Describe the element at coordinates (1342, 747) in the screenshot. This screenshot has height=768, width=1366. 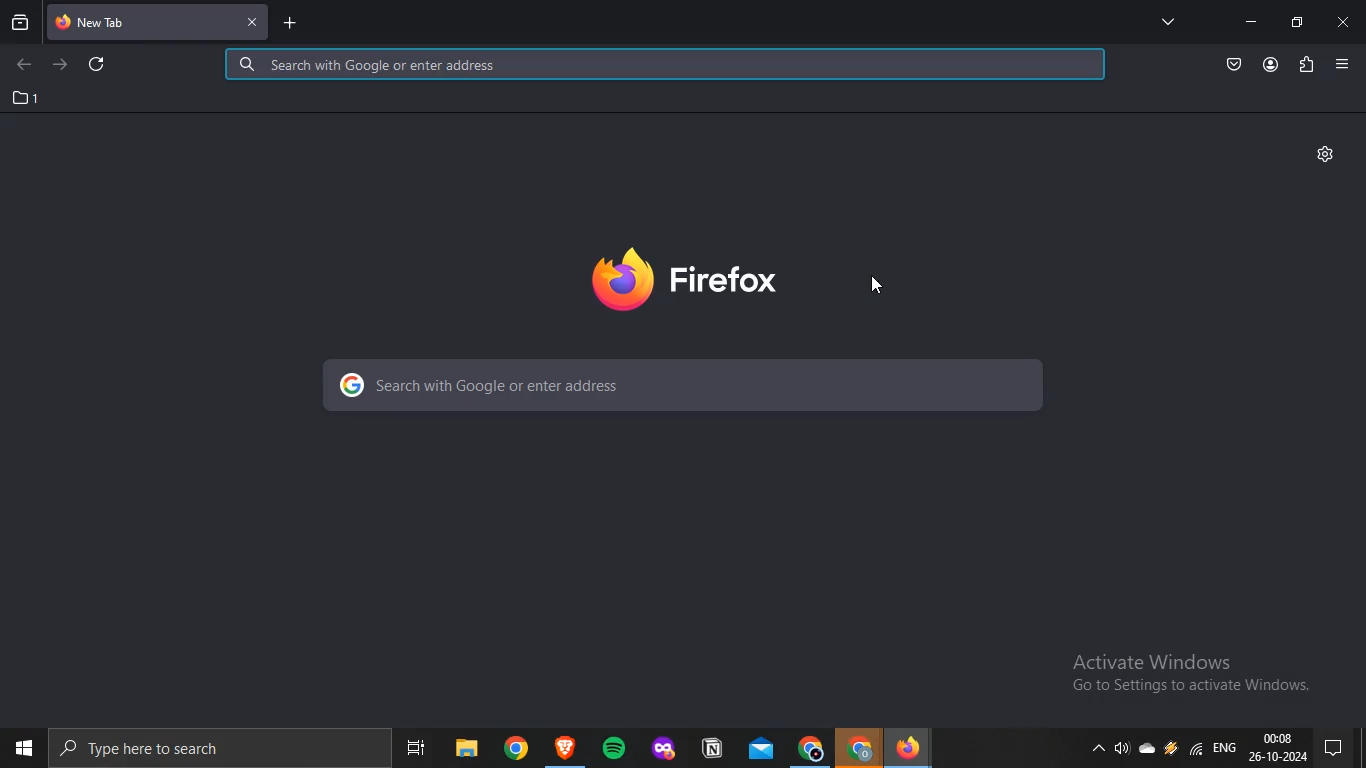
I see `pc settings menu` at that location.